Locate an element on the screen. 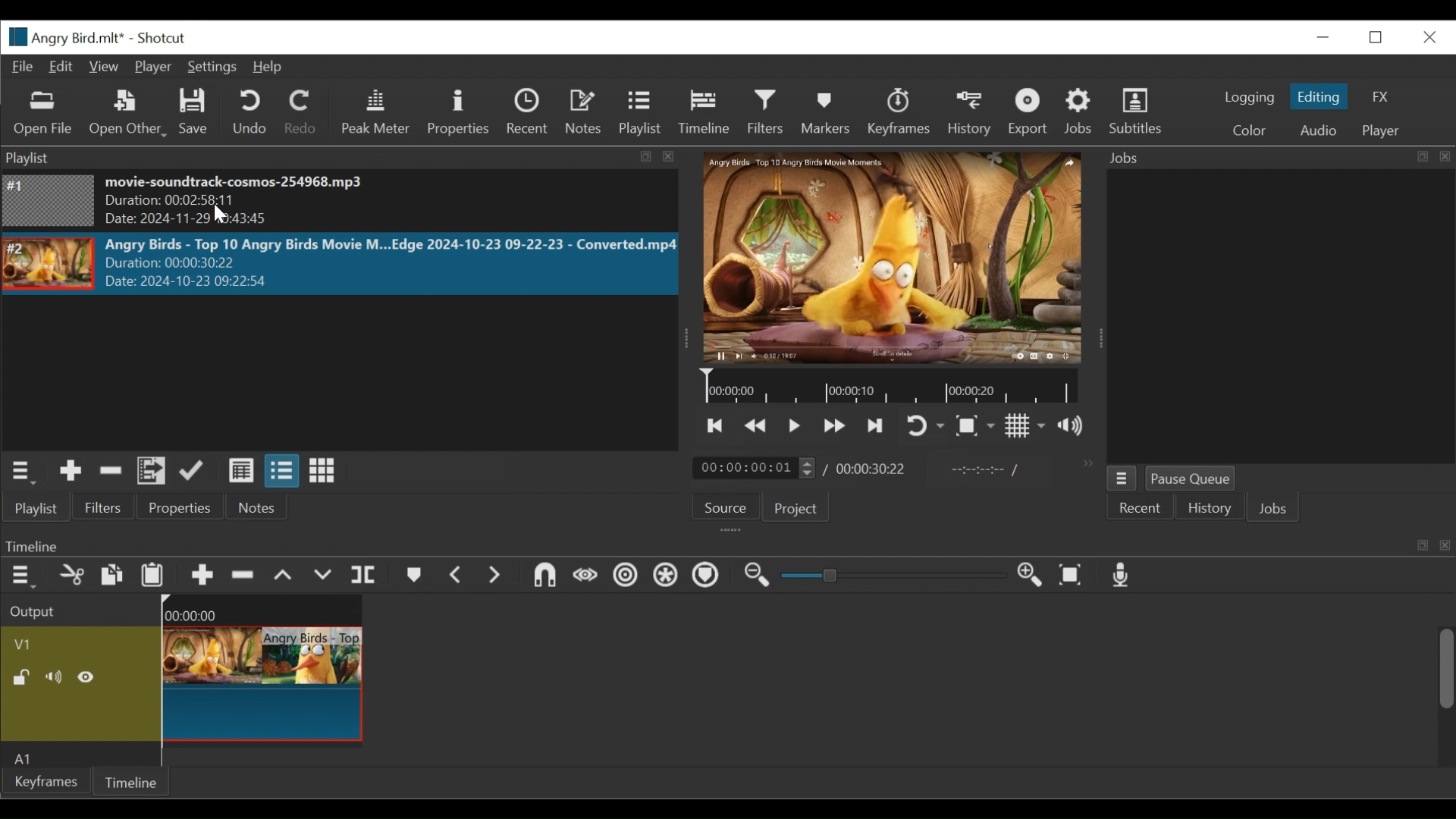 The height and width of the screenshot is (819, 1456). Properties is located at coordinates (183, 508).